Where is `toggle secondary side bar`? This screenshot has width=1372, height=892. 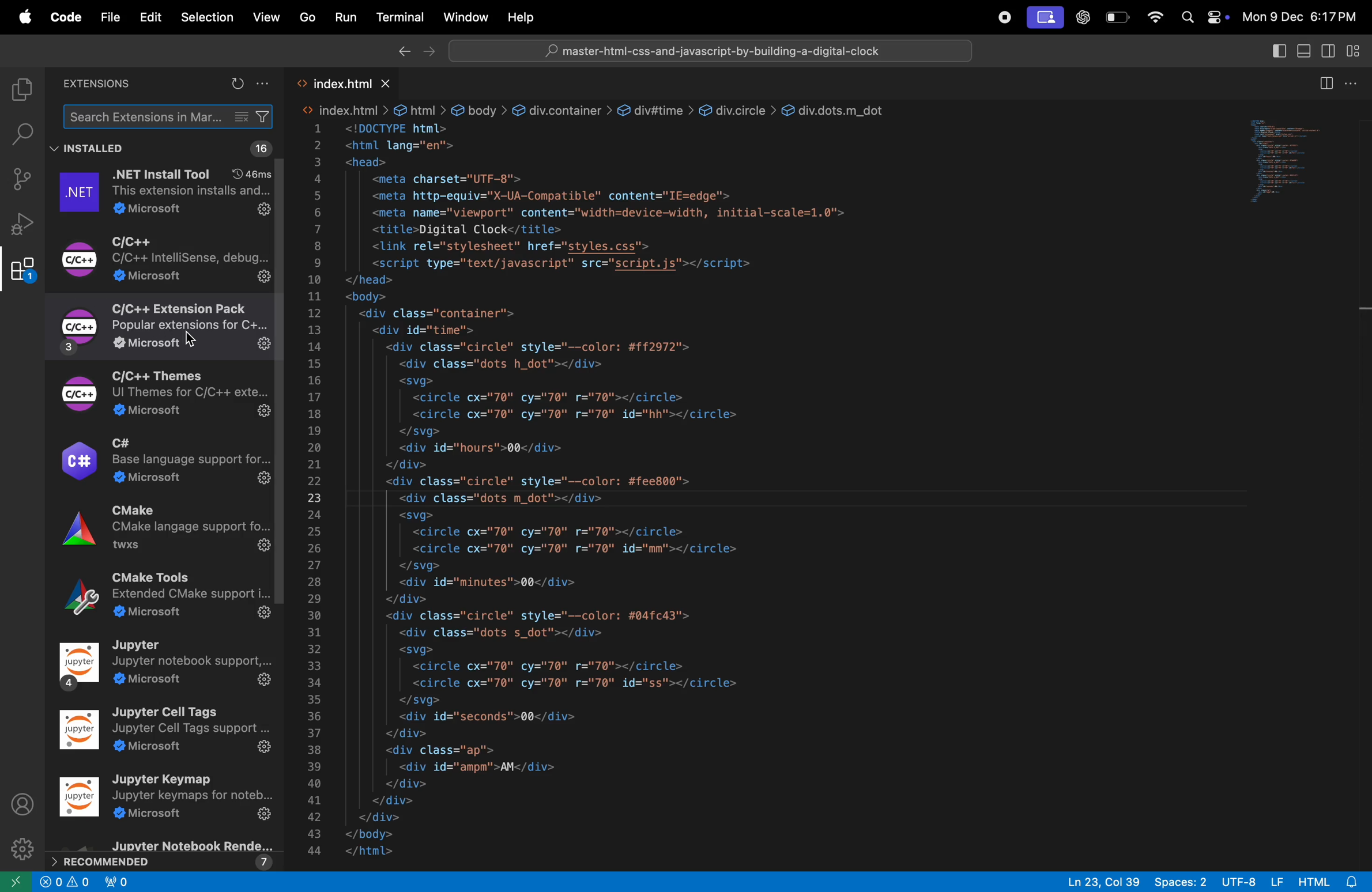 toggle secondary side bar is located at coordinates (1328, 51).